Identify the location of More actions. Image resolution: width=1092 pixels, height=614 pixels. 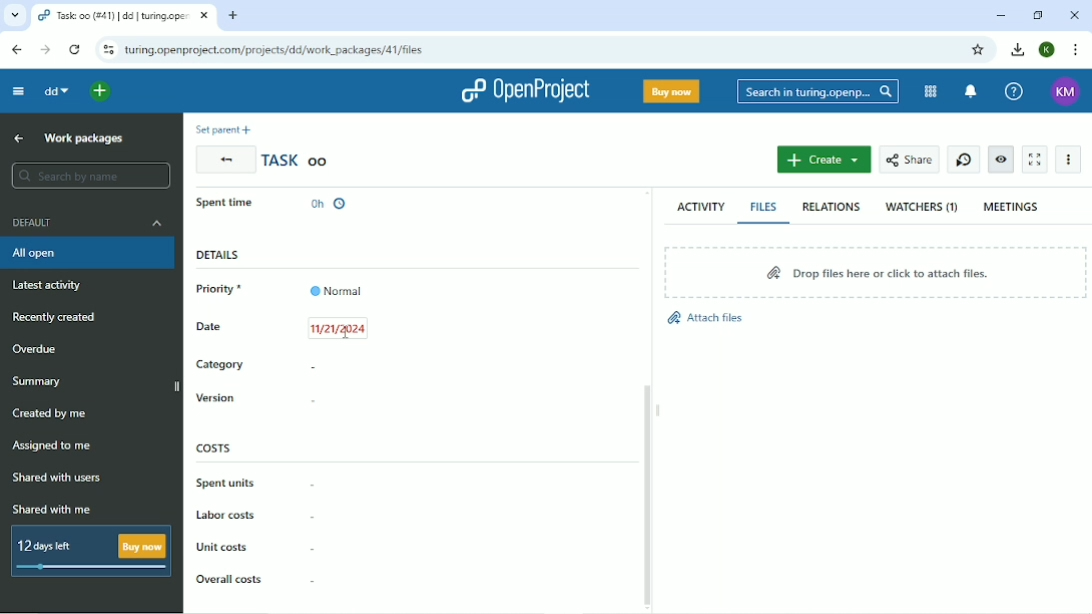
(1067, 159).